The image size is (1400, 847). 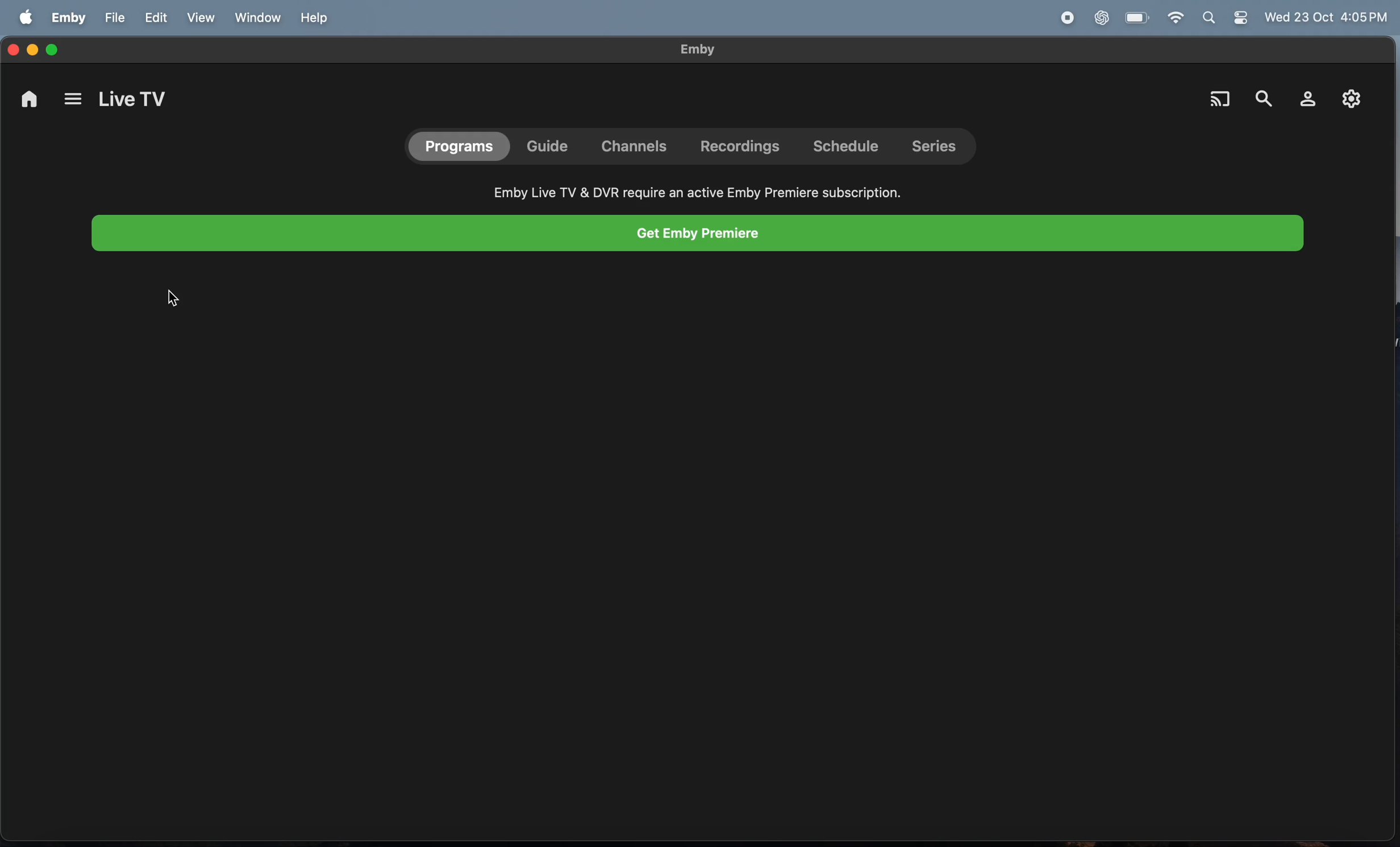 I want to click on cast, so click(x=1221, y=99).